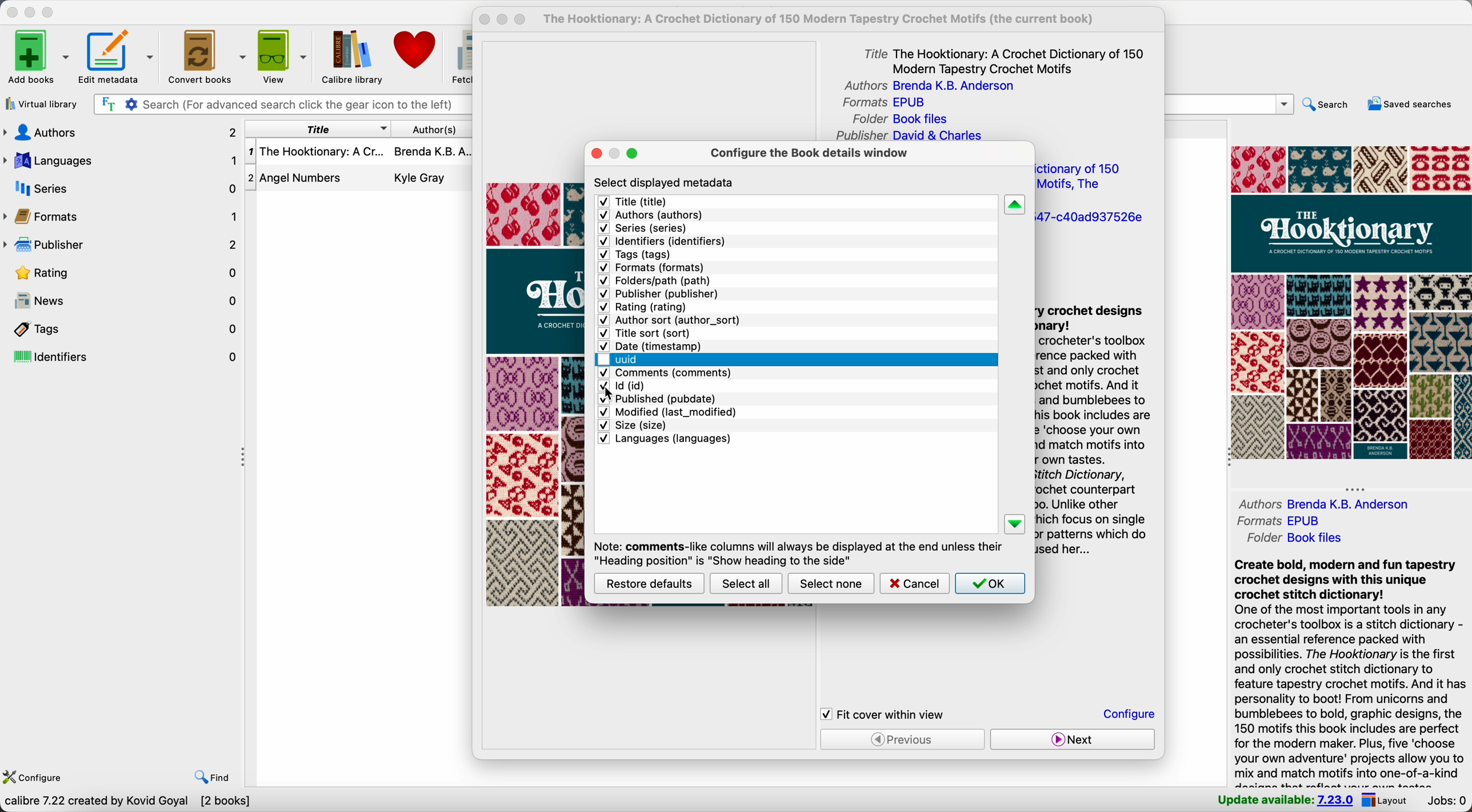 The height and width of the screenshot is (812, 1472). I want to click on title, so click(315, 130).